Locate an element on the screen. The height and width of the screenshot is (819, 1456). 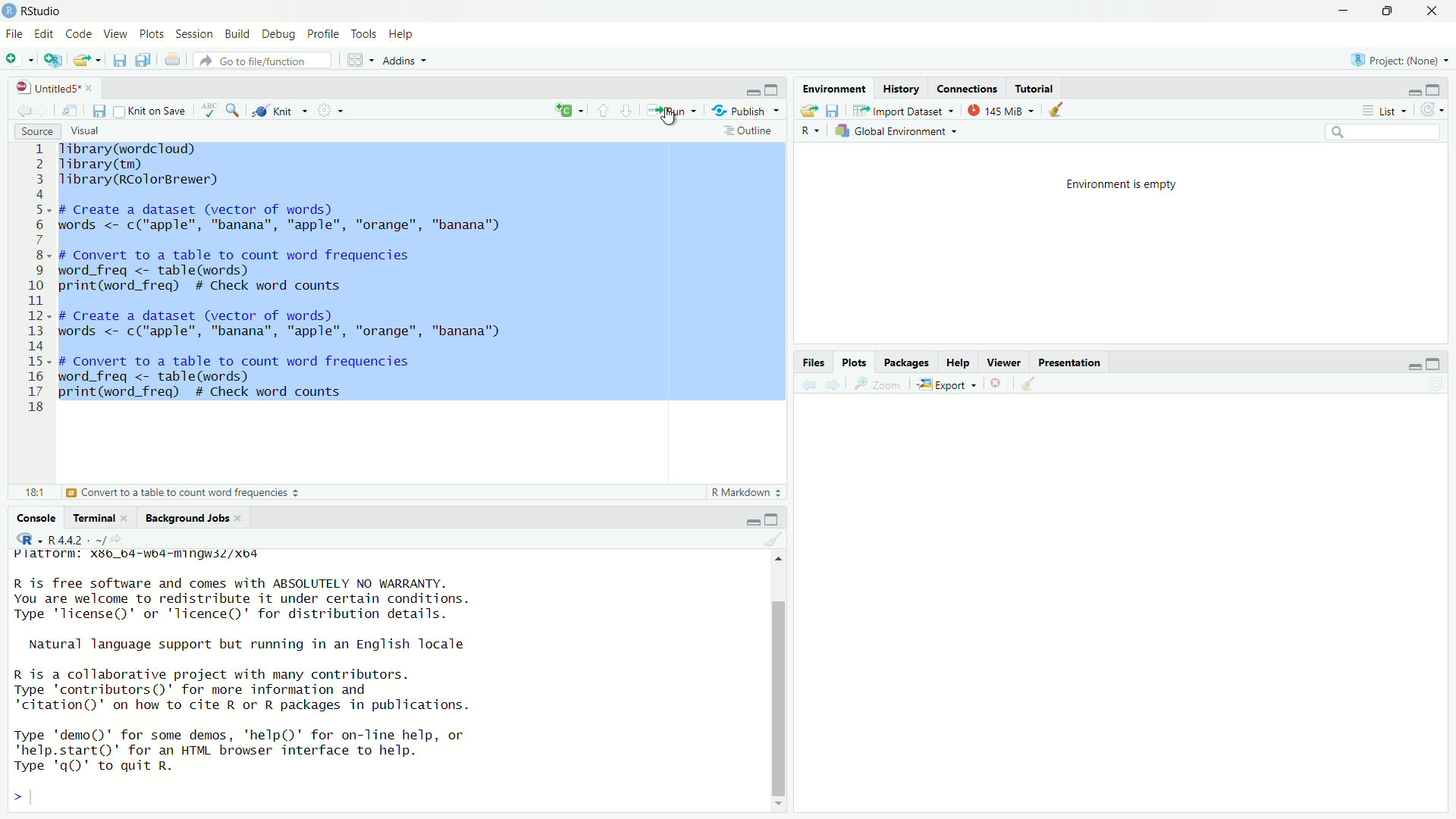
Save all open documents is located at coordinates (144, 61).